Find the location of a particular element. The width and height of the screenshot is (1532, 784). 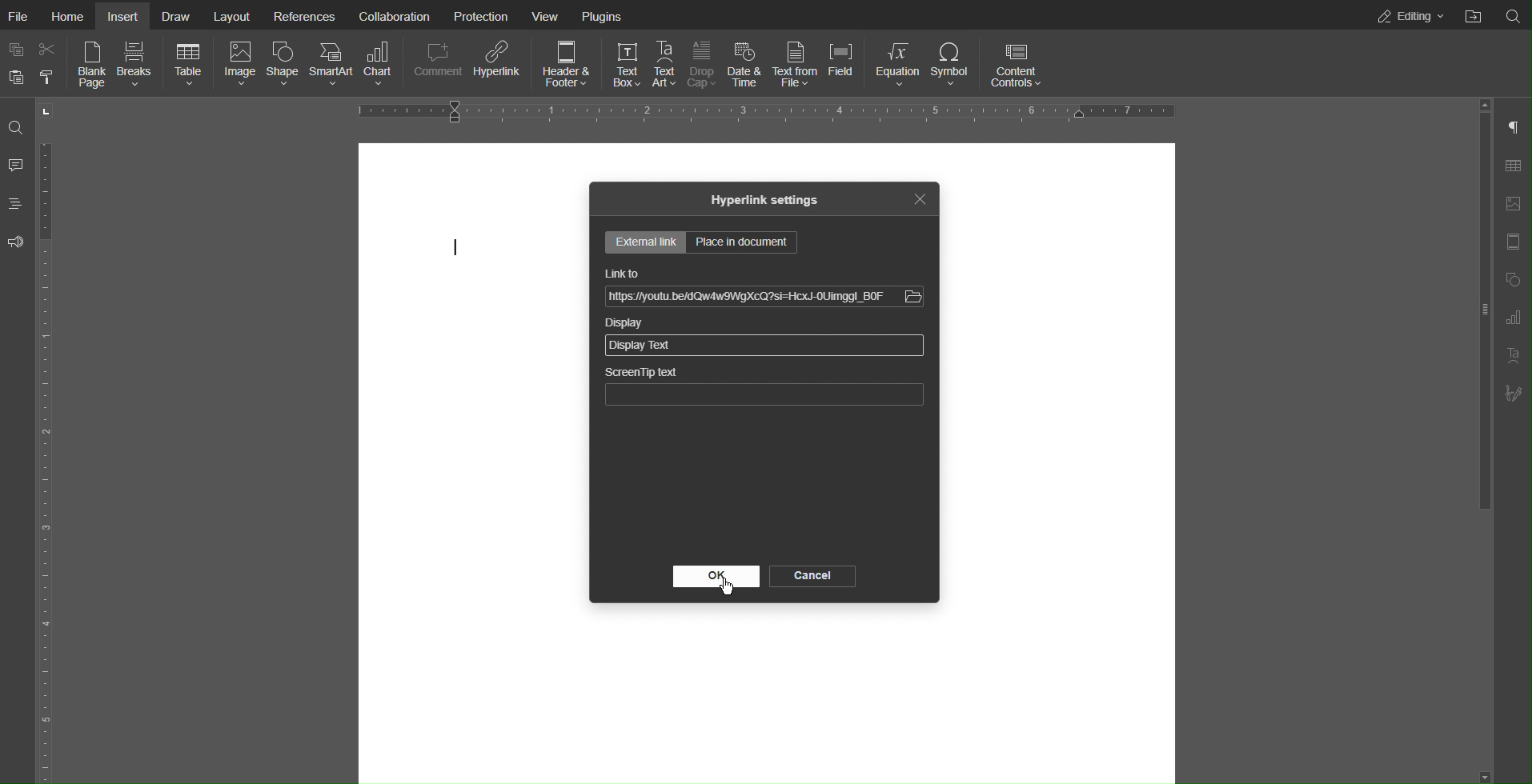

OK is located at coordinates (717, 577).